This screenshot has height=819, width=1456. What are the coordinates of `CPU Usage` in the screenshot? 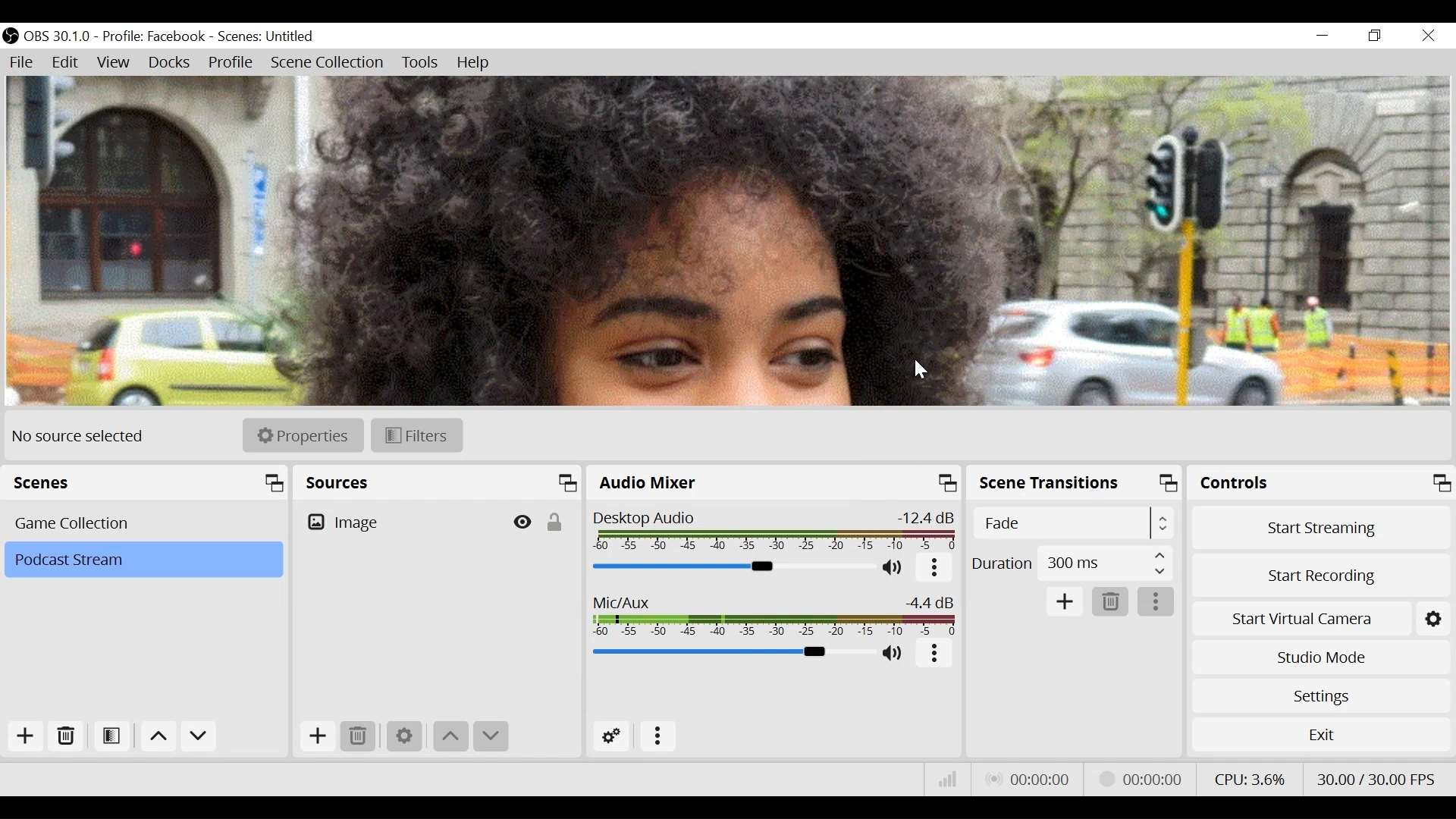 It's located at (1250, 778).